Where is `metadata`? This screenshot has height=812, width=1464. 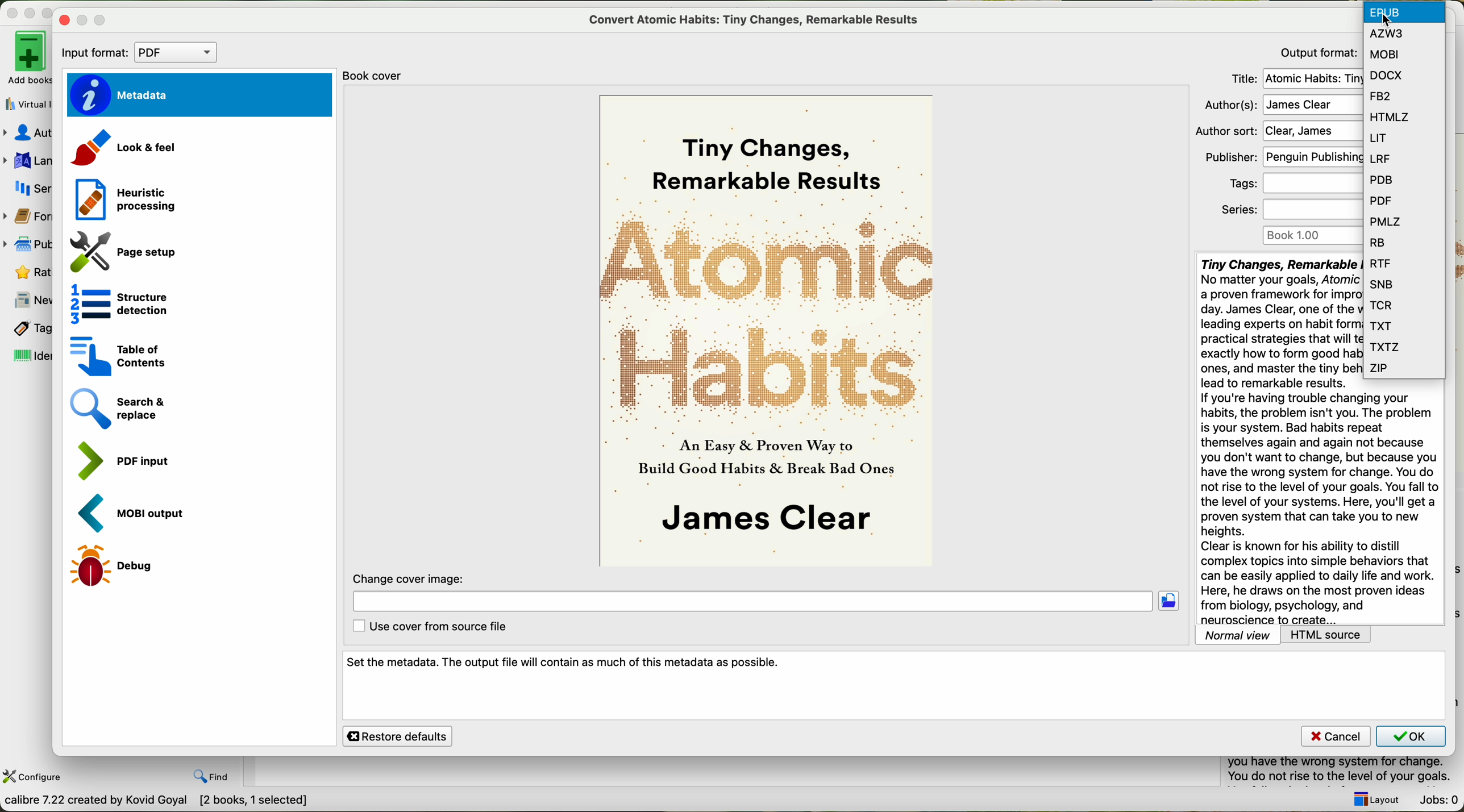
metadata is located at coordinates (198, 95).